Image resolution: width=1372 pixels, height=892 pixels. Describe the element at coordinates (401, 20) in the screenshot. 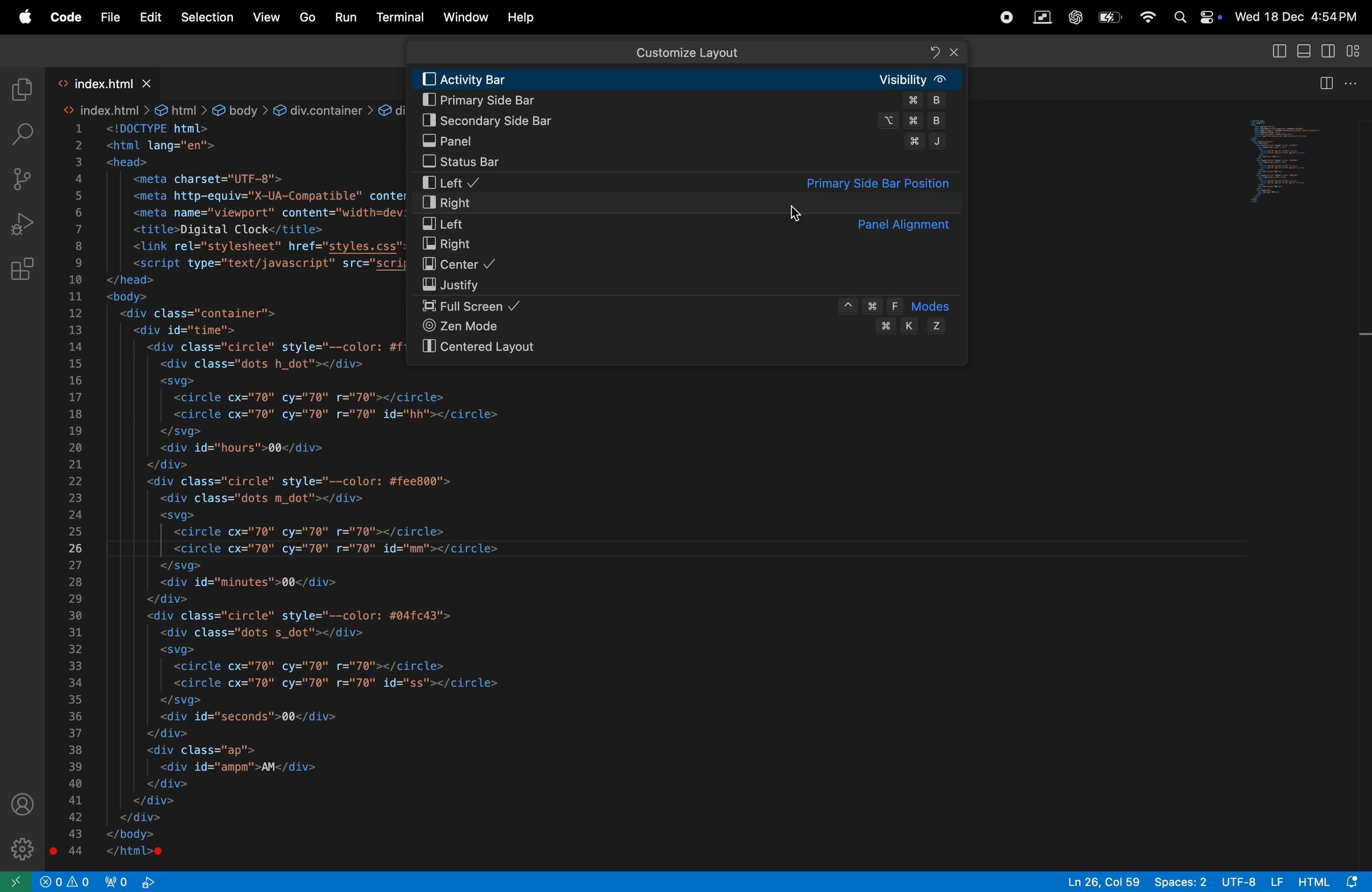

I see `Terminal` at that location.